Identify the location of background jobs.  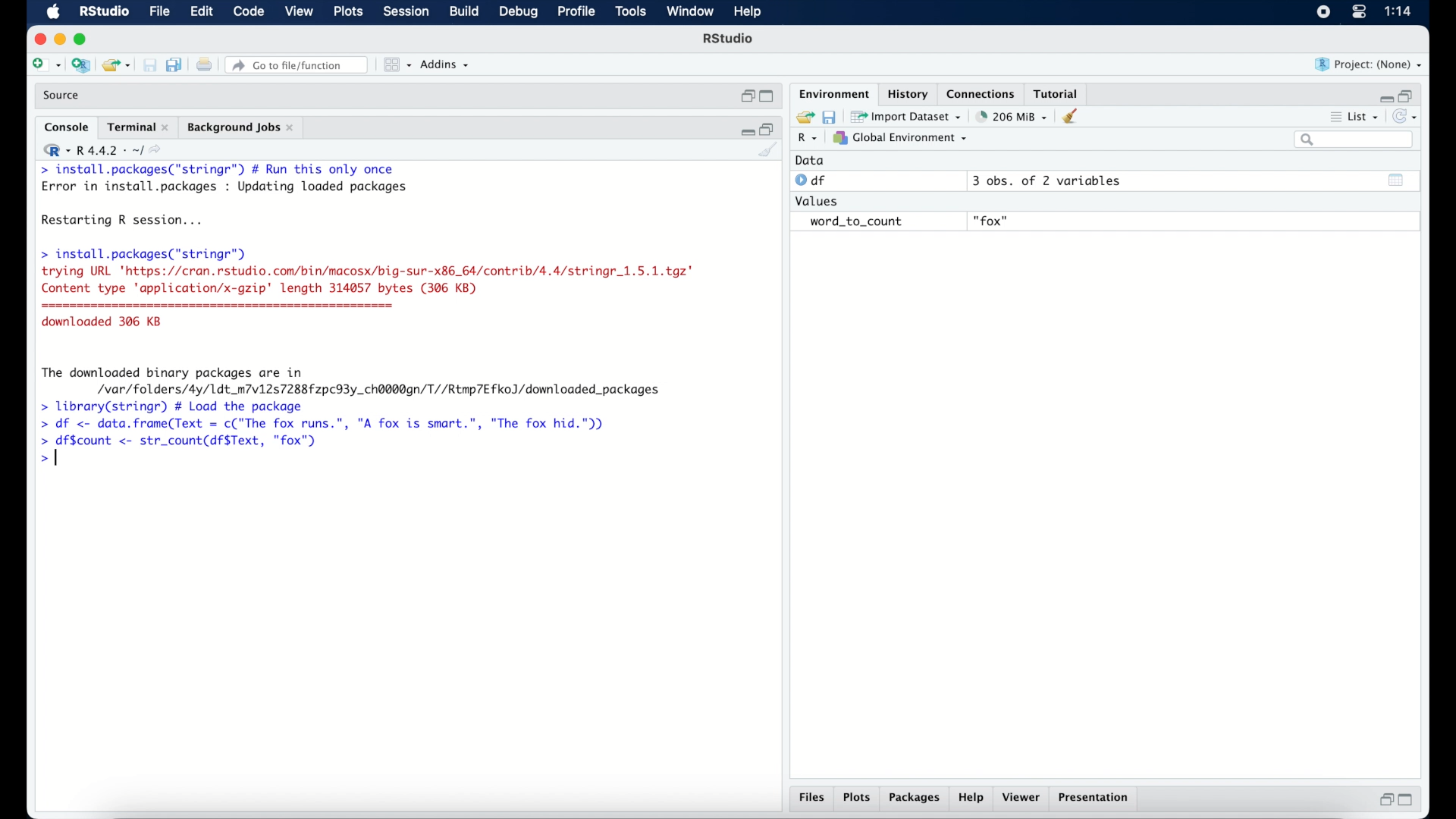
(242, 129).